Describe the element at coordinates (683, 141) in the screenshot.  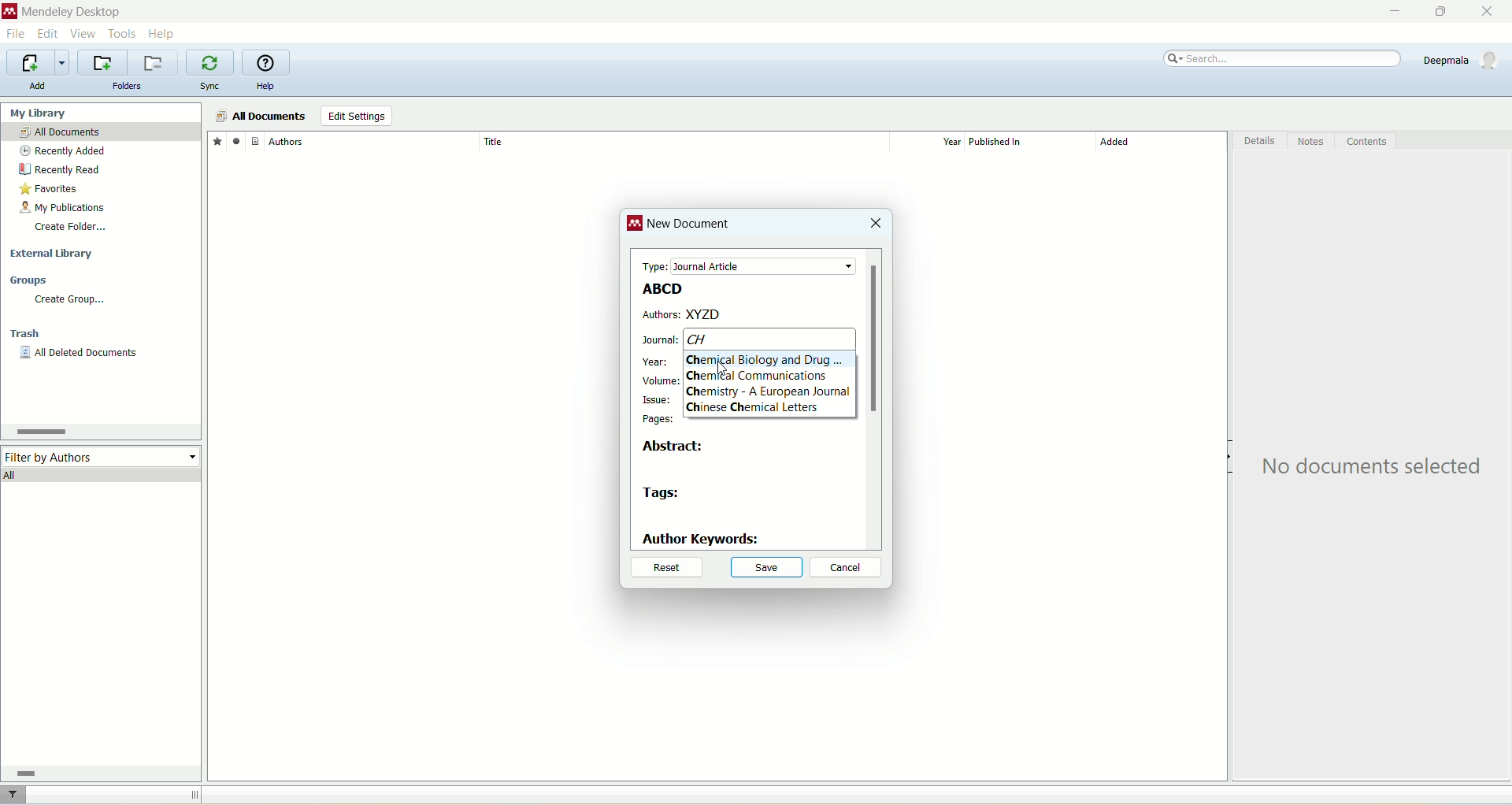
I see `title` at that location.